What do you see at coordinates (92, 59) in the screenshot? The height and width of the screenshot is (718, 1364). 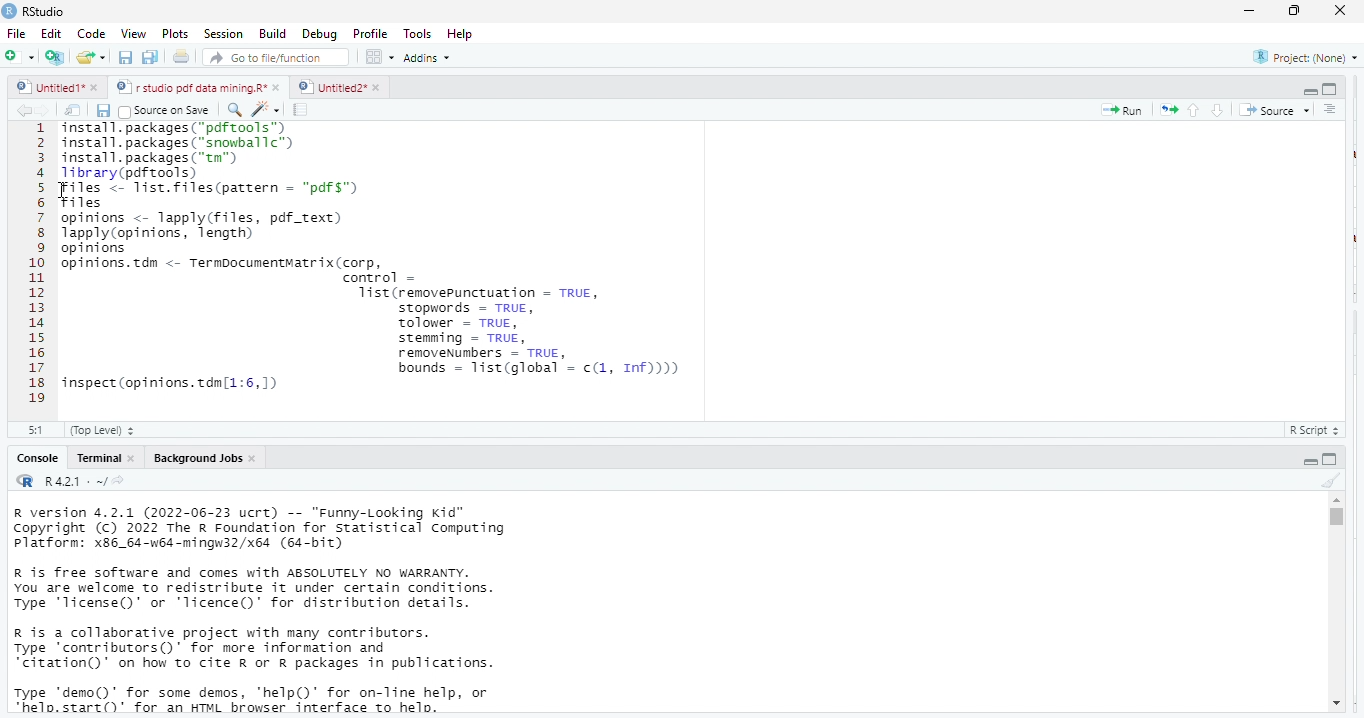 I see `open an existing file` at bounding box center [92, 59].